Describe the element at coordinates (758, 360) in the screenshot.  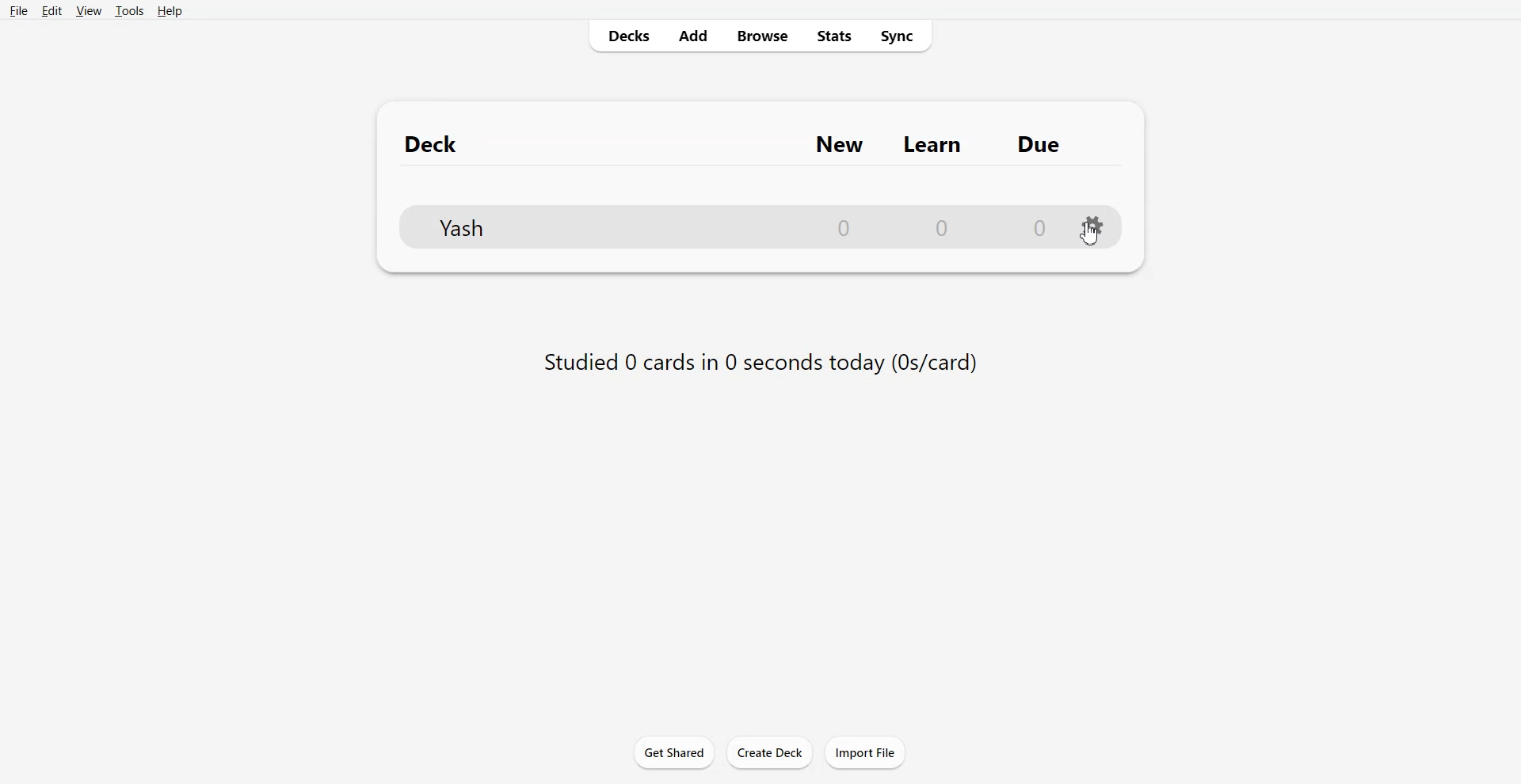
I see `Text 2` at that location.